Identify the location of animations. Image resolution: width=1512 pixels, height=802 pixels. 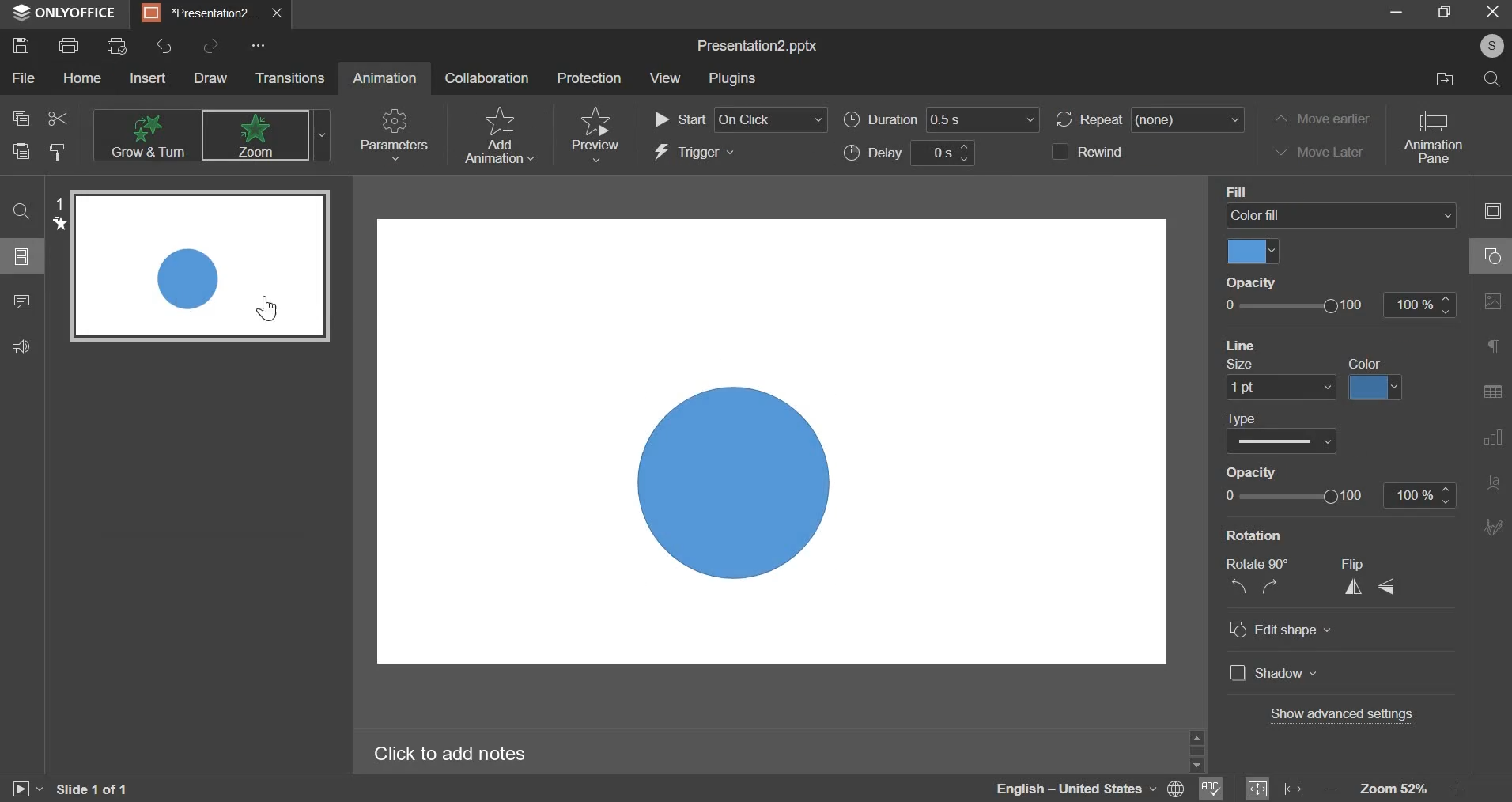
(207, 133).